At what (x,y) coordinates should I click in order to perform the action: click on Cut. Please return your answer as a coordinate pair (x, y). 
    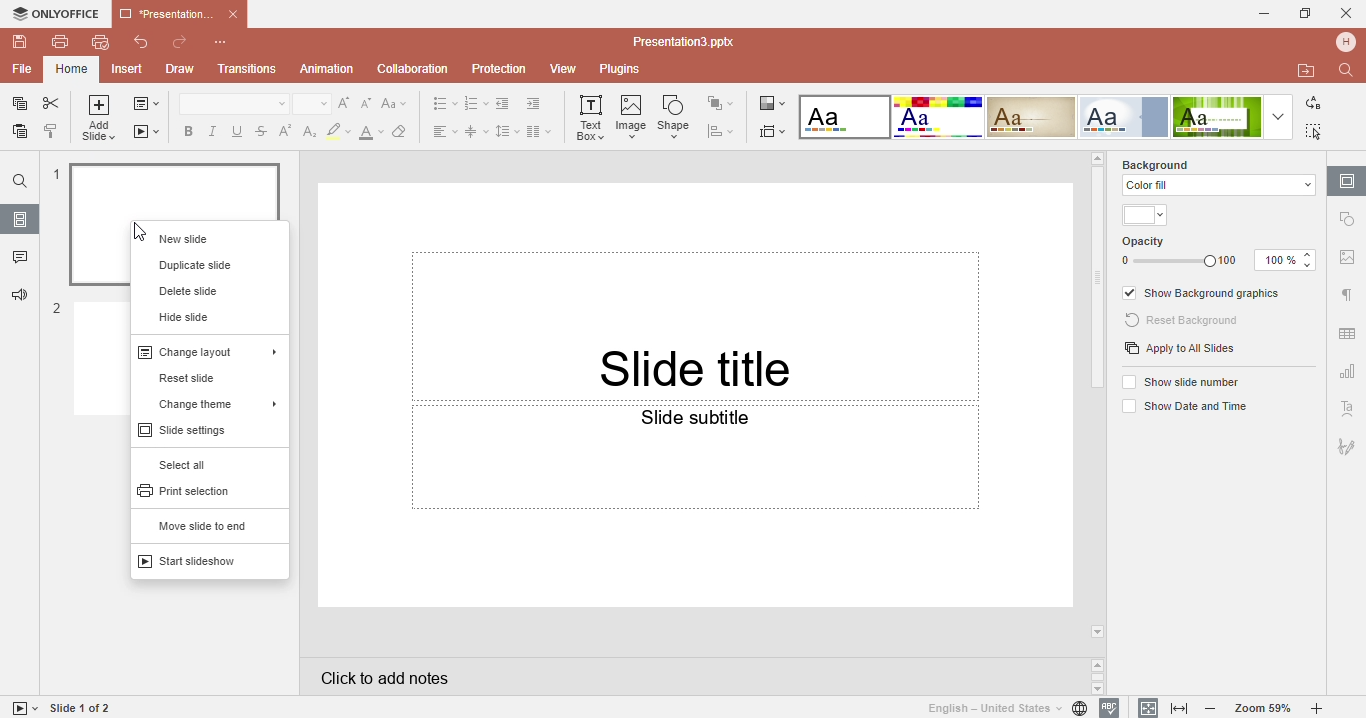
    Looking at the image, I should click on (52, 104).